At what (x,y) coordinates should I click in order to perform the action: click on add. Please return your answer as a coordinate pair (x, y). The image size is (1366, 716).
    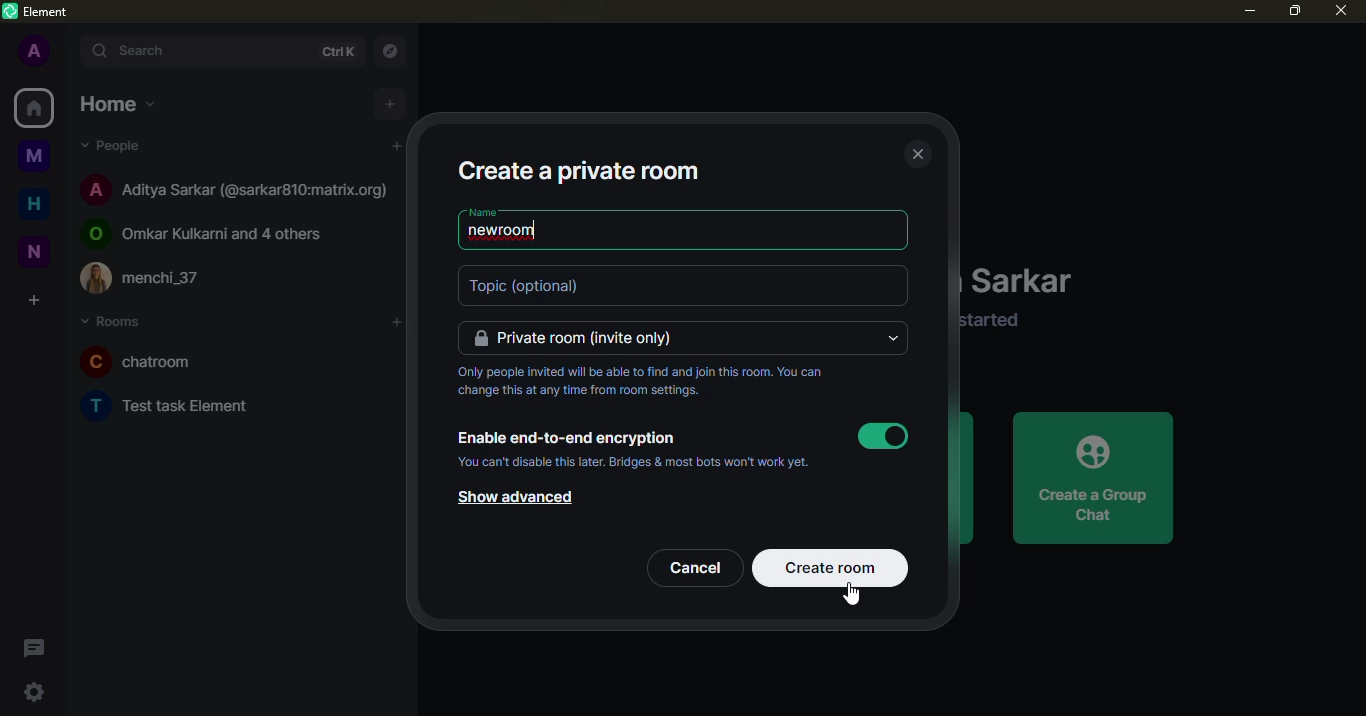
    Looking at the image, I should click on (397, 321).